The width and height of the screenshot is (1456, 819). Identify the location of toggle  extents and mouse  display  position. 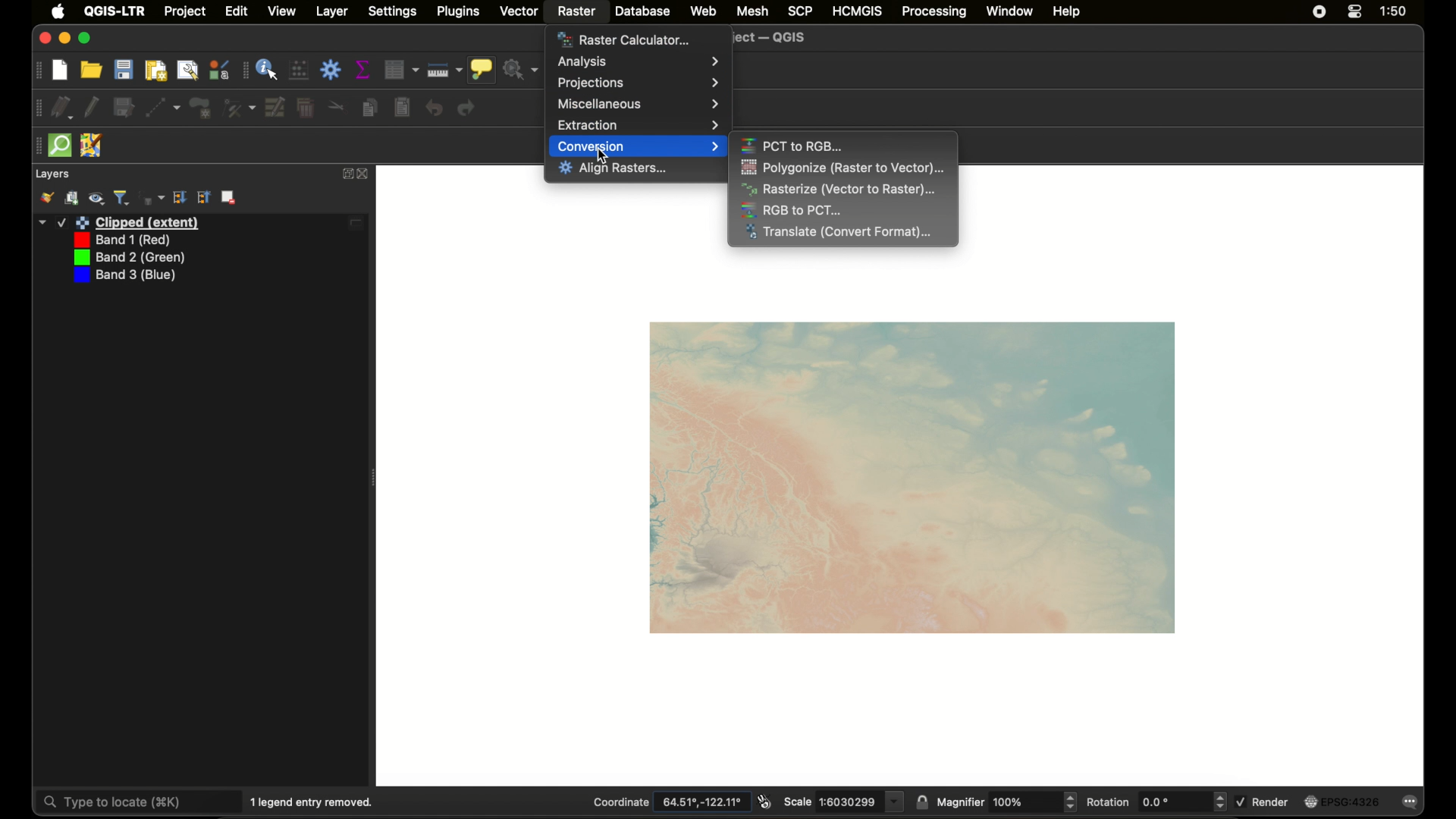
(764, 802).